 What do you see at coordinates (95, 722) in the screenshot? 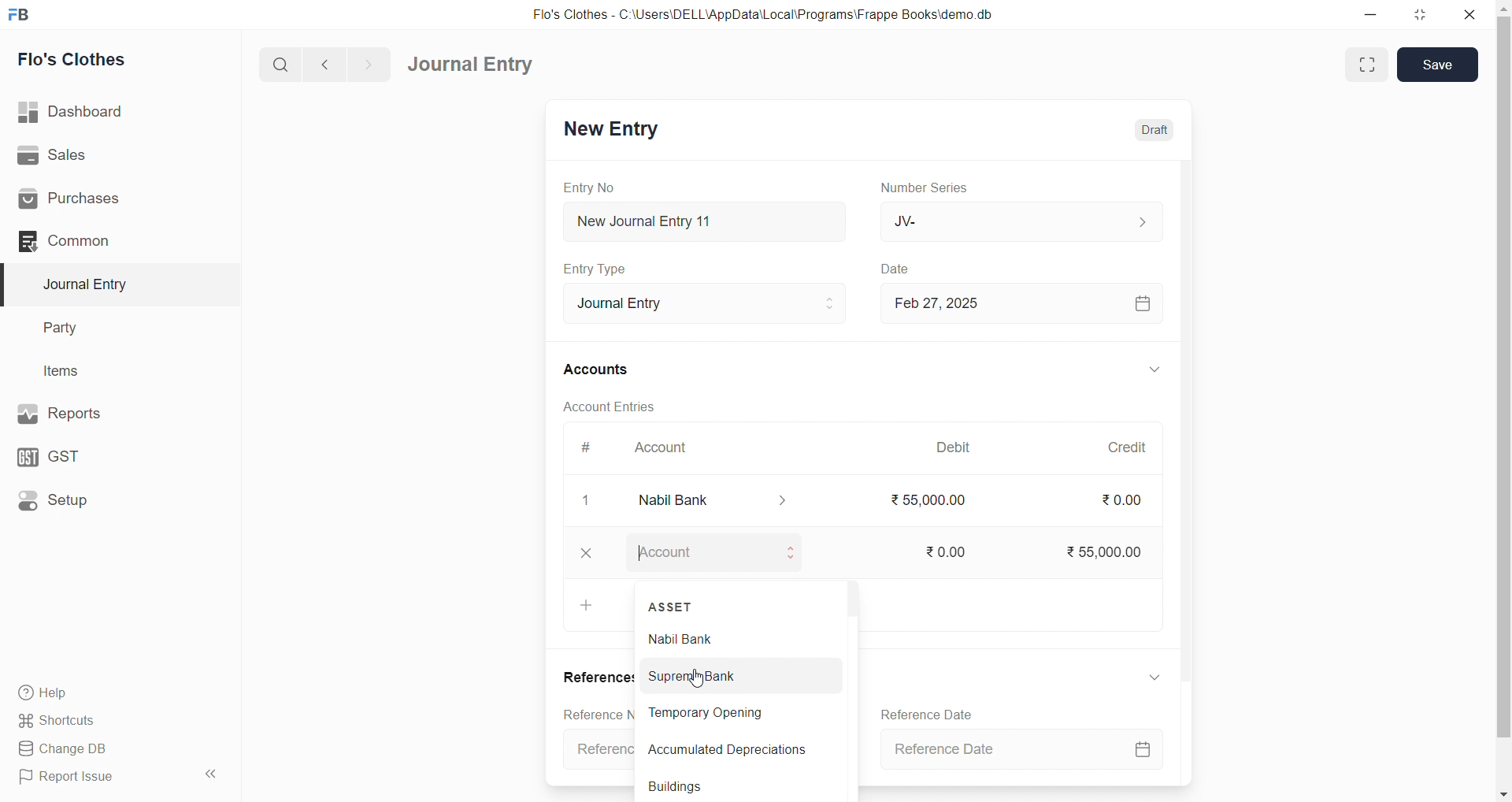
I see `Shortcuts` at bounding box center [95, 722].